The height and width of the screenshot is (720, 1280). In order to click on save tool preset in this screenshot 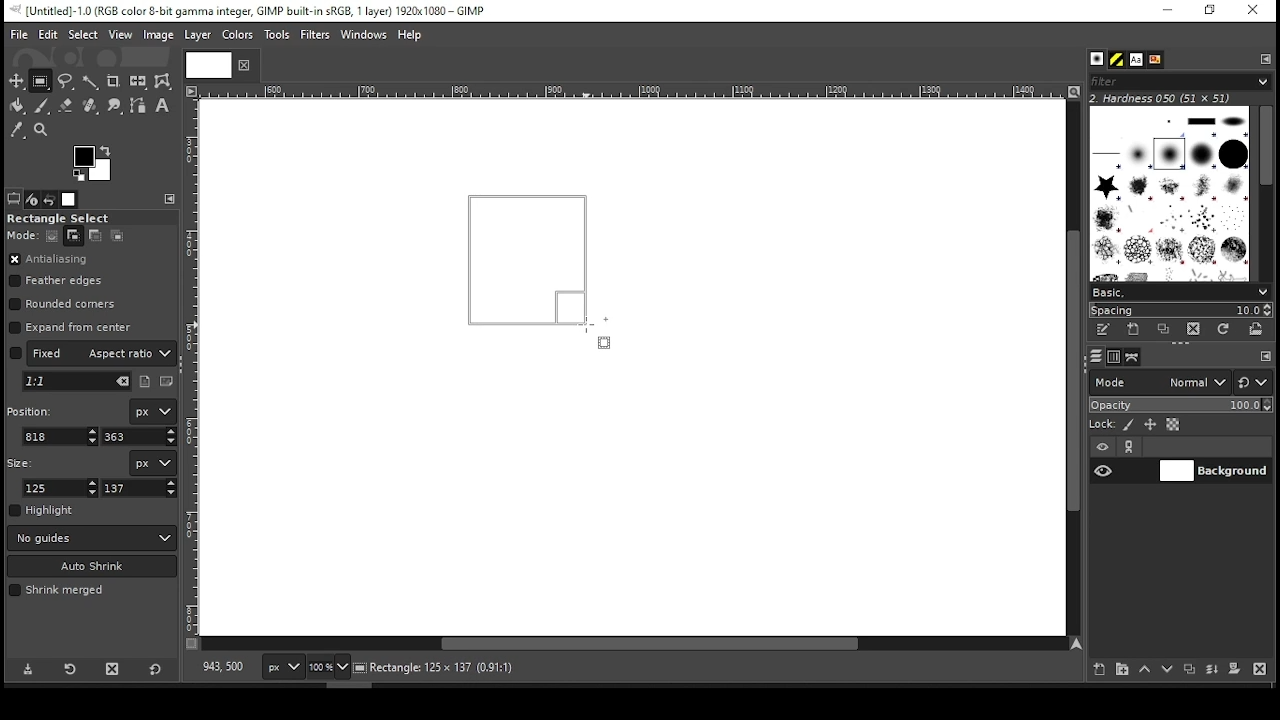, I will do `click(30, 668)`.